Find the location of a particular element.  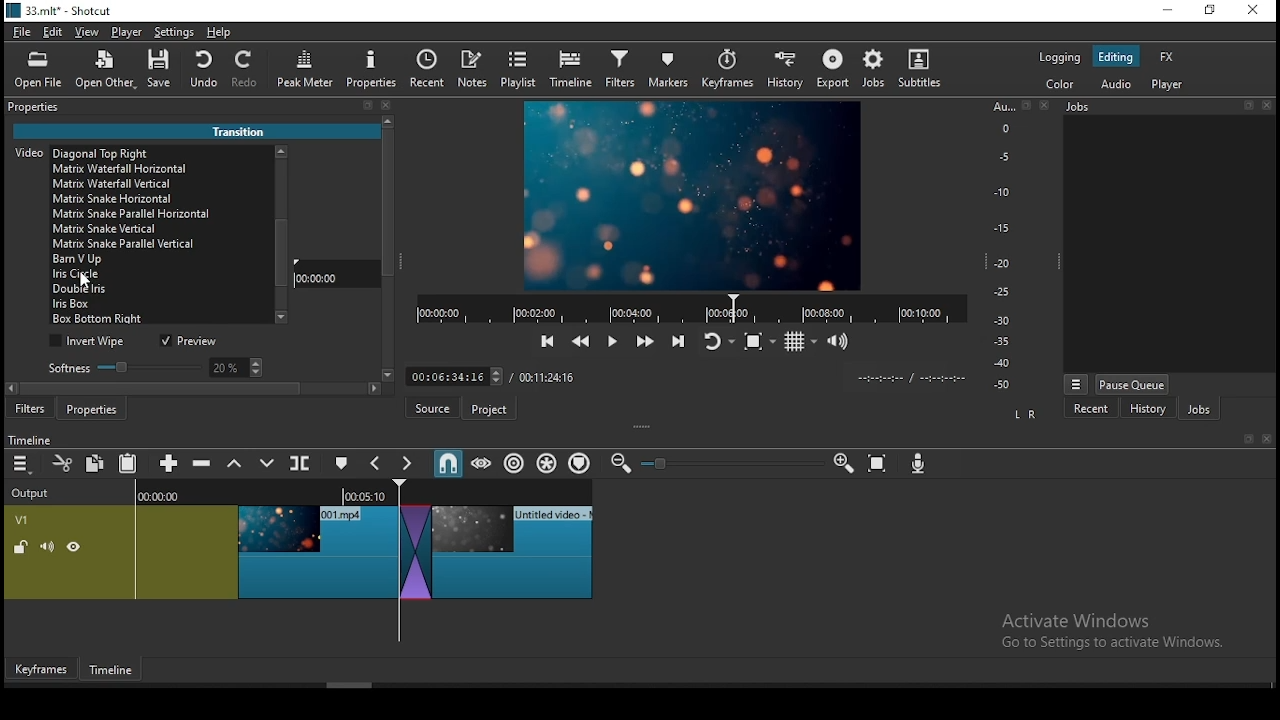

video track is located at coordinates (298, 547).